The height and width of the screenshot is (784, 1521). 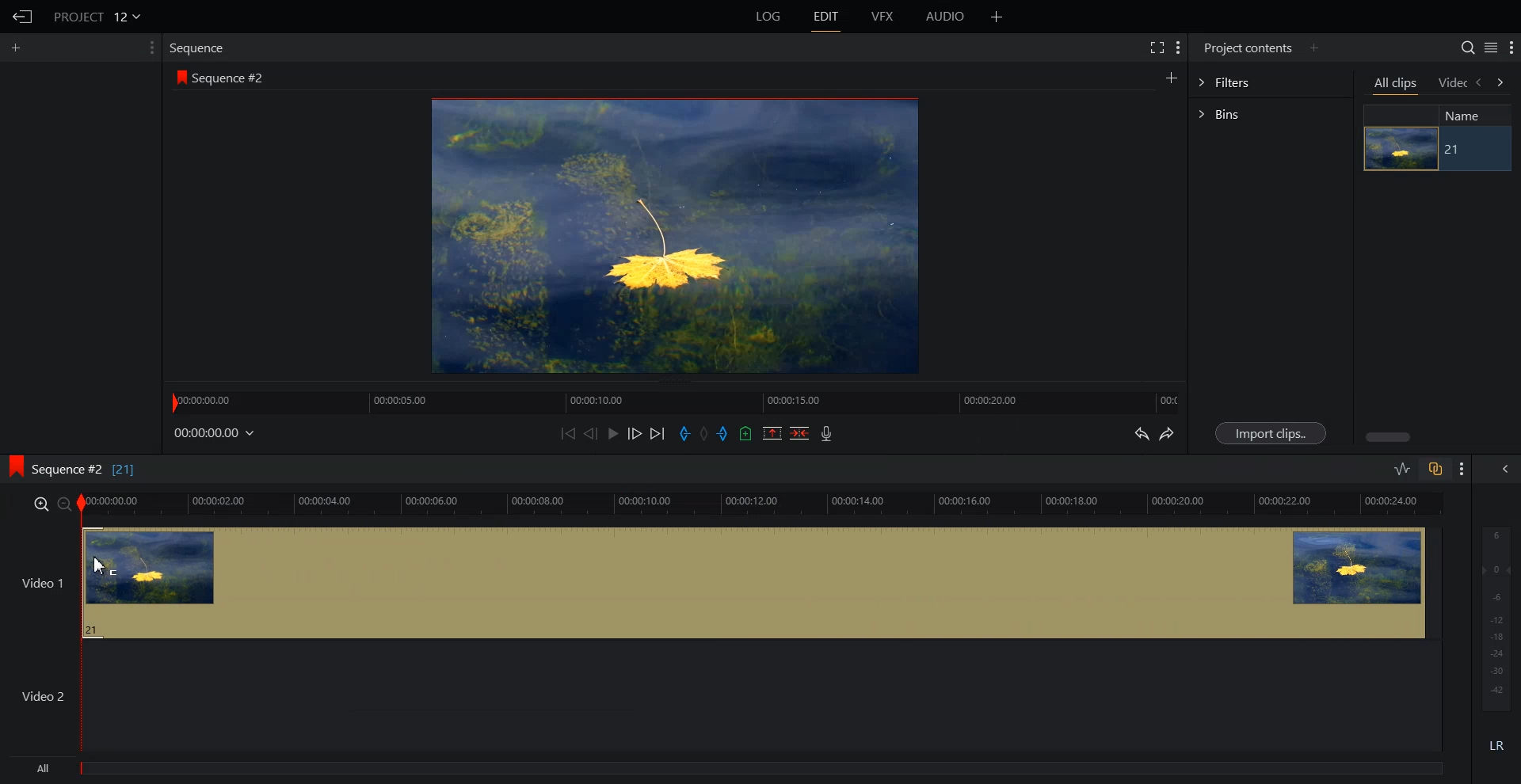 What do you see at coordinates (1469, 116) in the screenshot?
I see `Name` at bounding box center [1469, 116].